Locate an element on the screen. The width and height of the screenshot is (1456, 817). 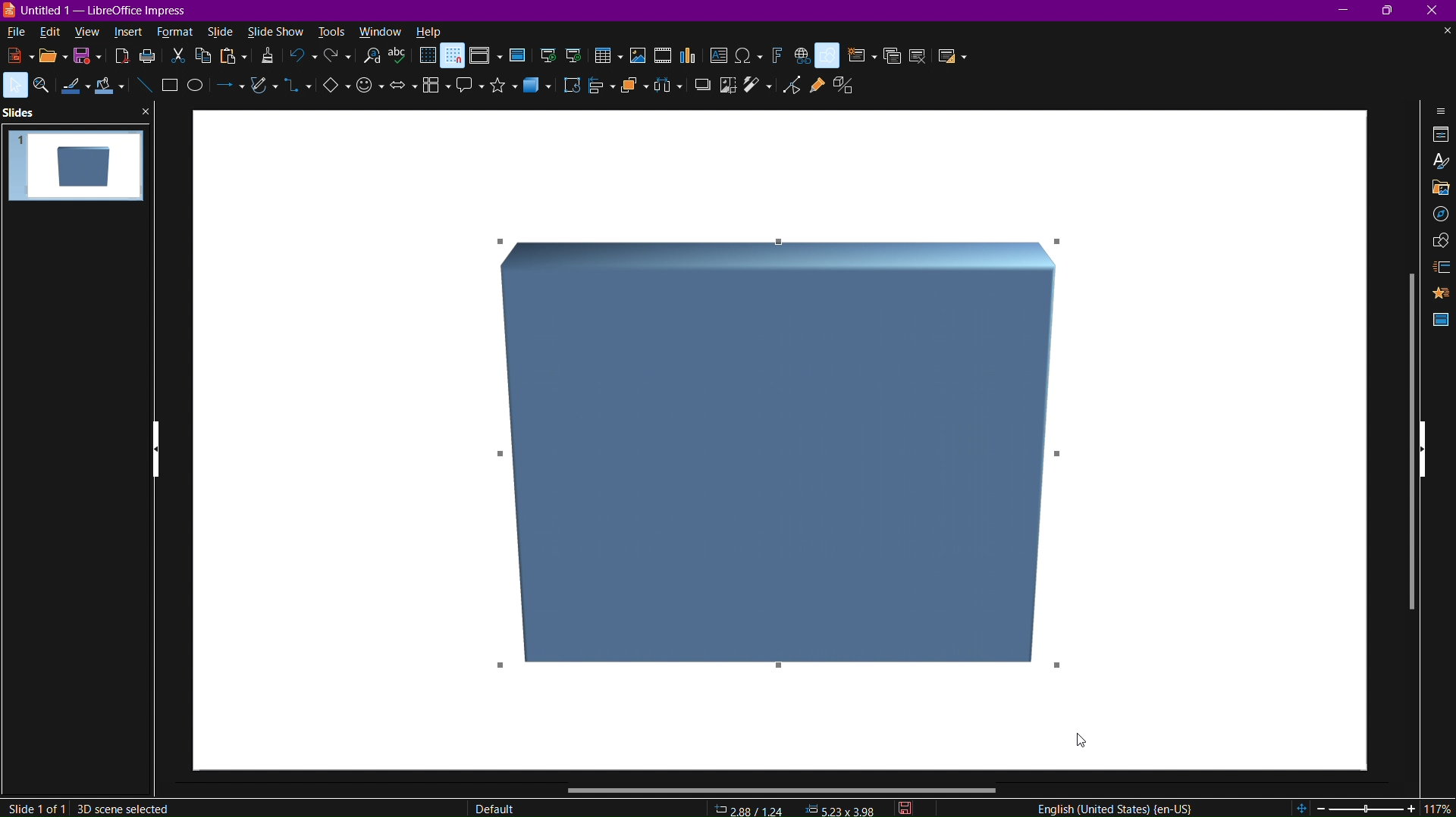
Slide Transition is located at coordinates (1439, 267).